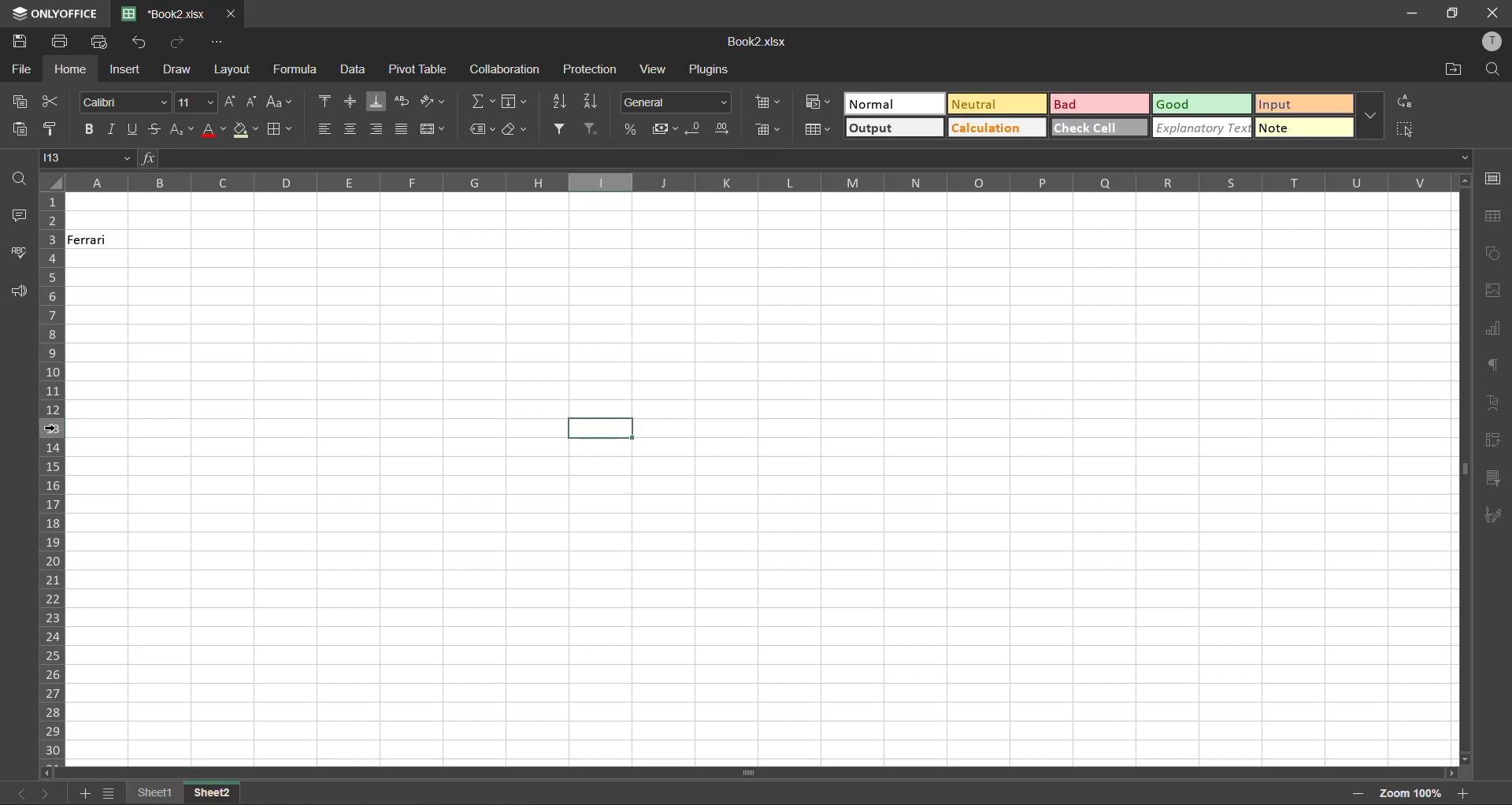 The image size is (1512, 805). I want to click on zoom in, so click(1466, 795).